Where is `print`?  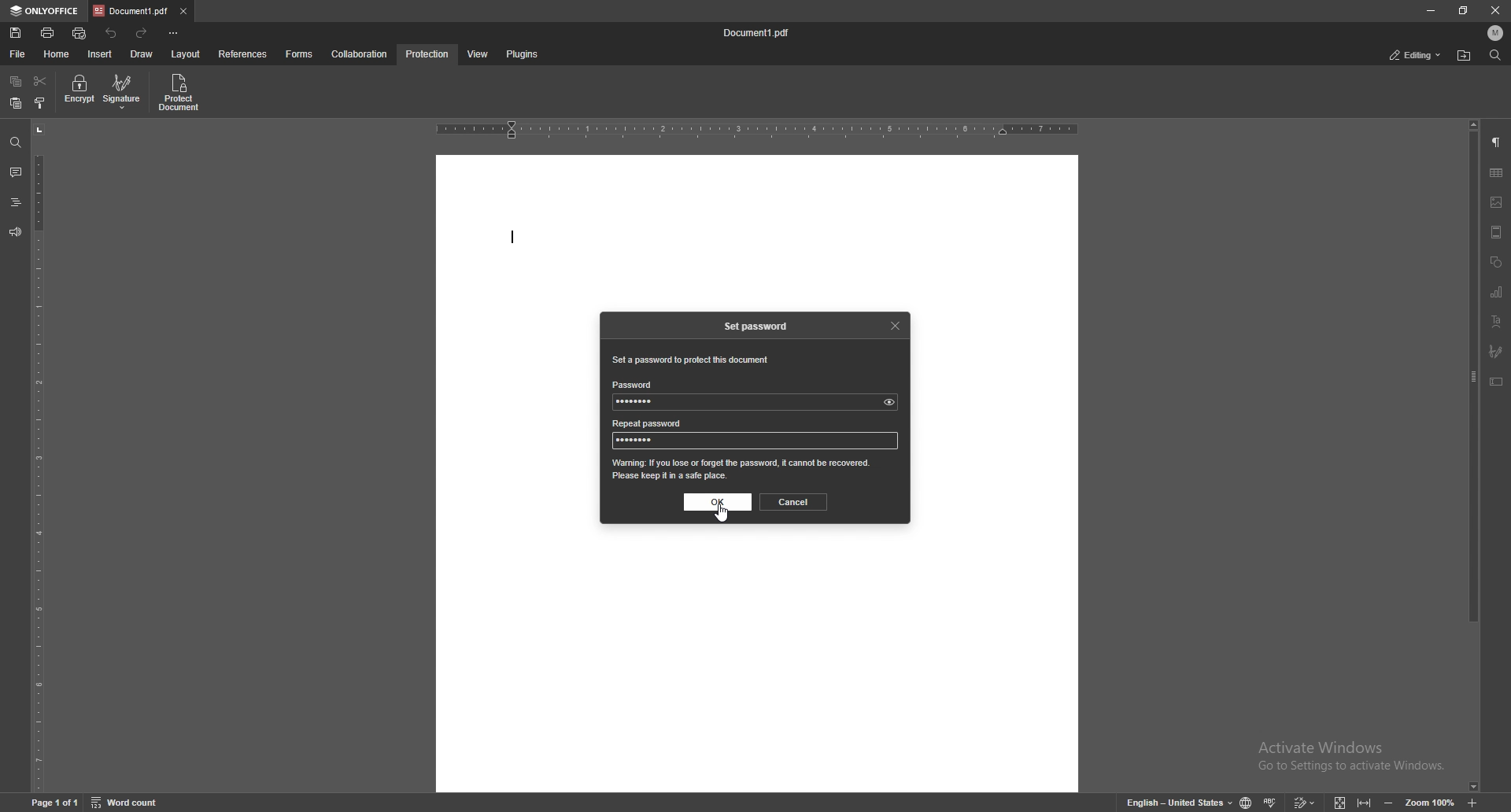
print is located at coordinates (48, 33).